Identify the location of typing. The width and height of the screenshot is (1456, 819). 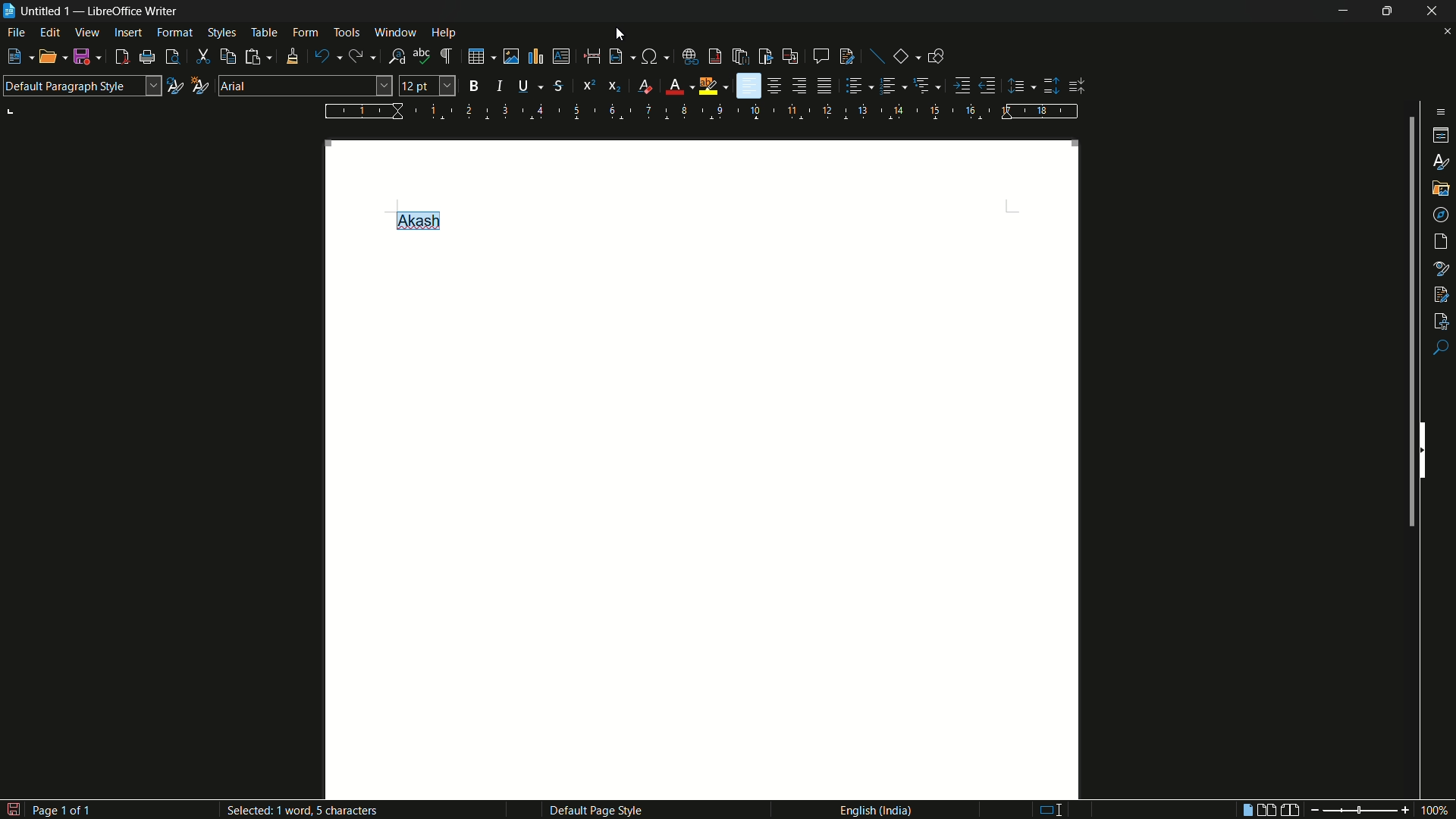
(1059, 809).